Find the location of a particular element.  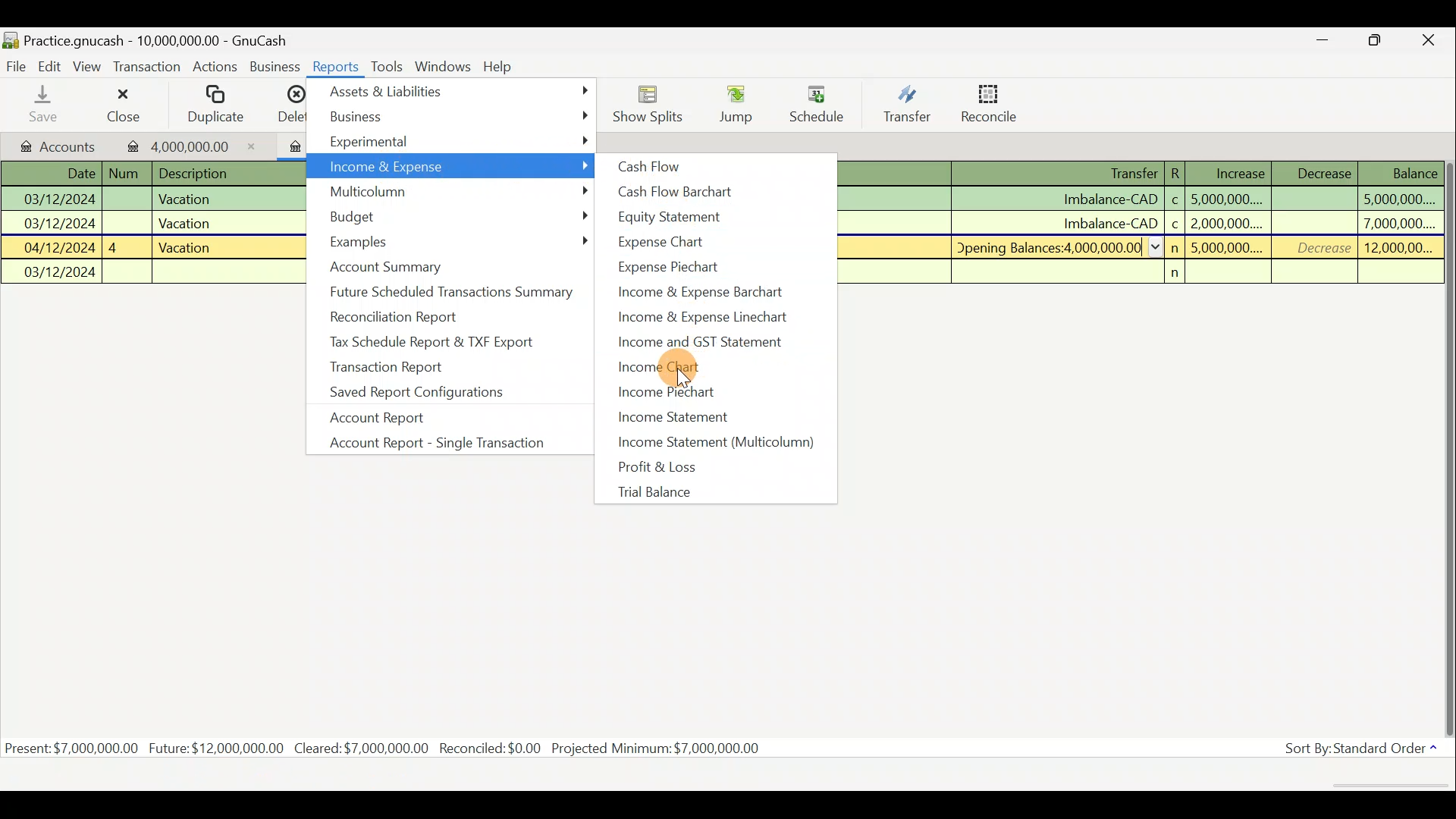

Increase is located at coordinates (1241, 174).